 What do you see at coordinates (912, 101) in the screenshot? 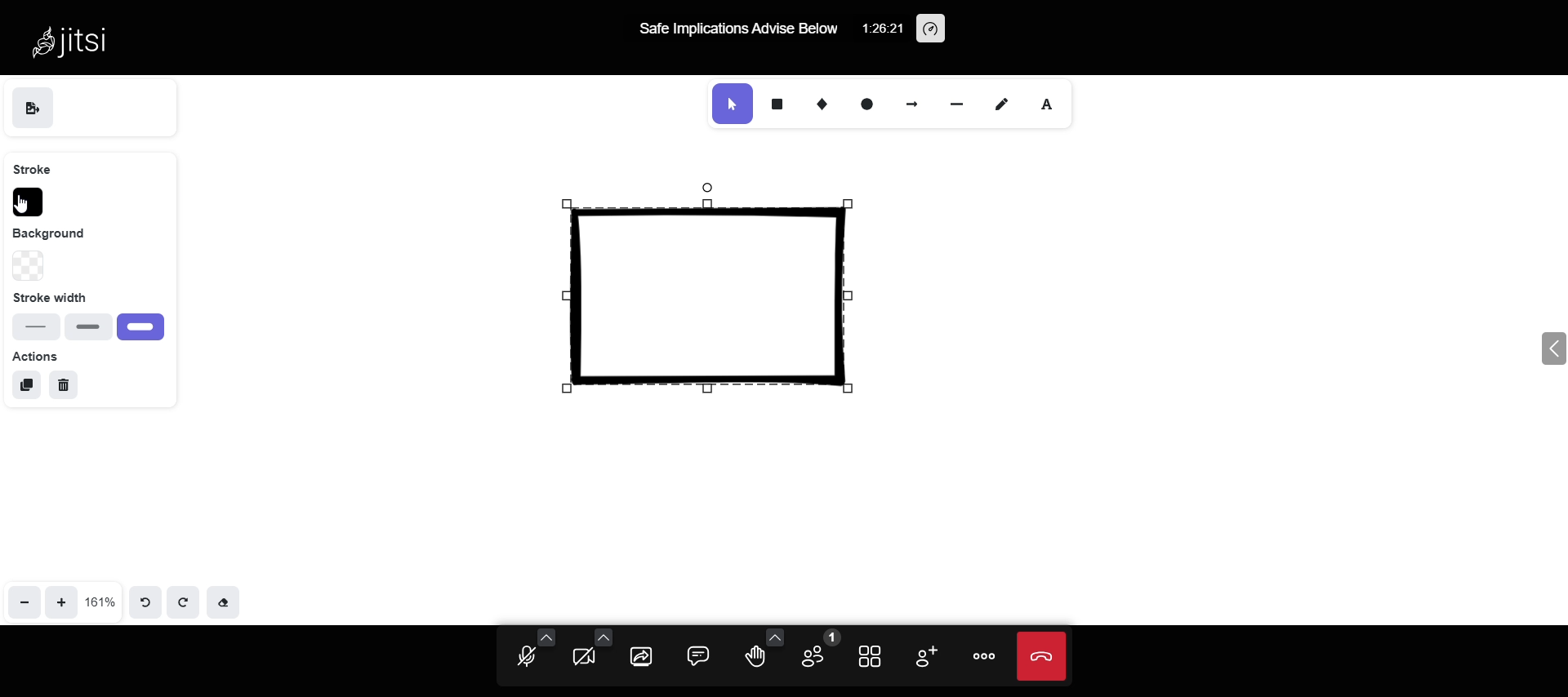
I see `arrow` at bounding box center [912, 101].